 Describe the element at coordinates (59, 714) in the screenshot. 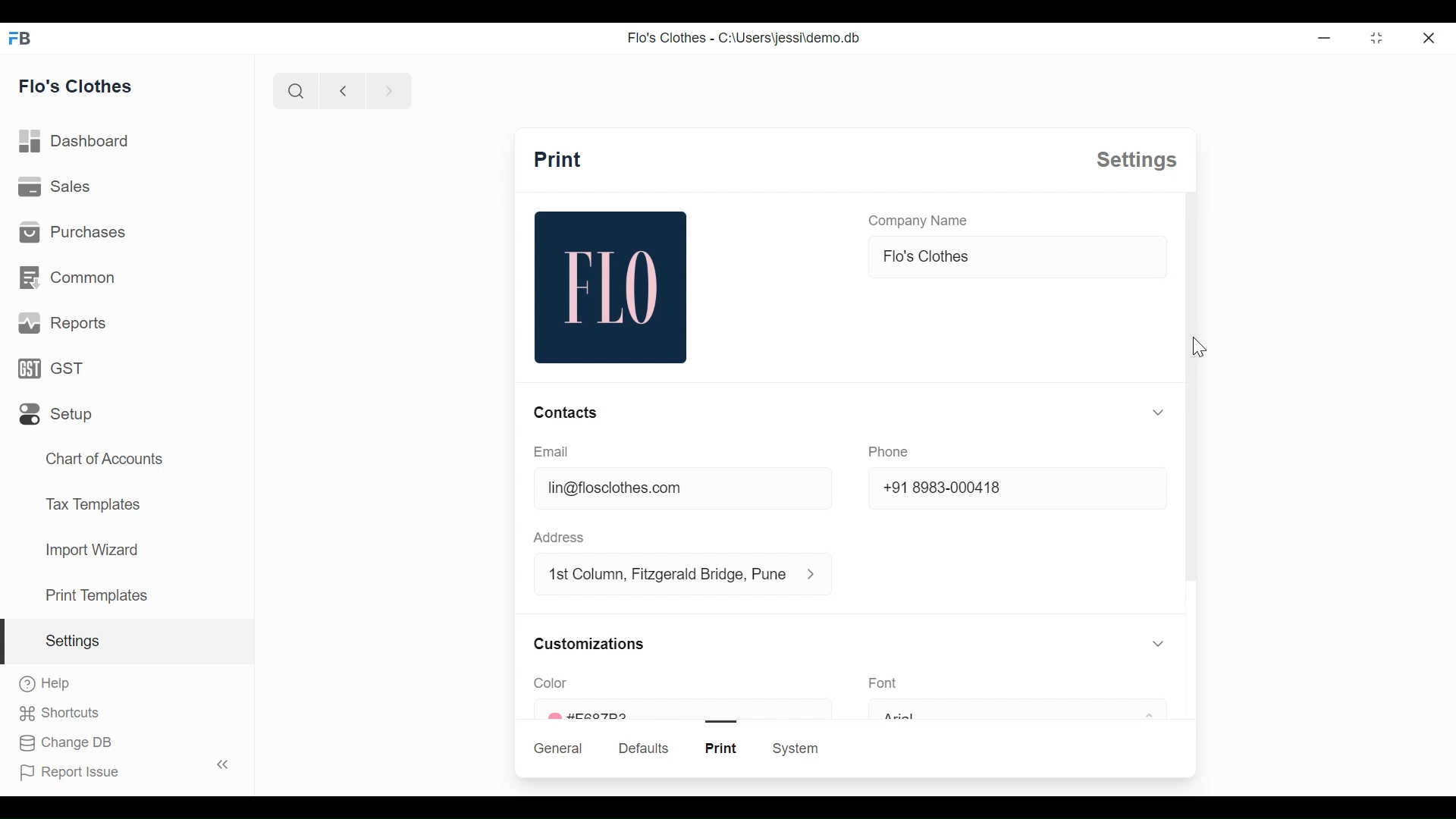

I see `shortcuts` at that location.